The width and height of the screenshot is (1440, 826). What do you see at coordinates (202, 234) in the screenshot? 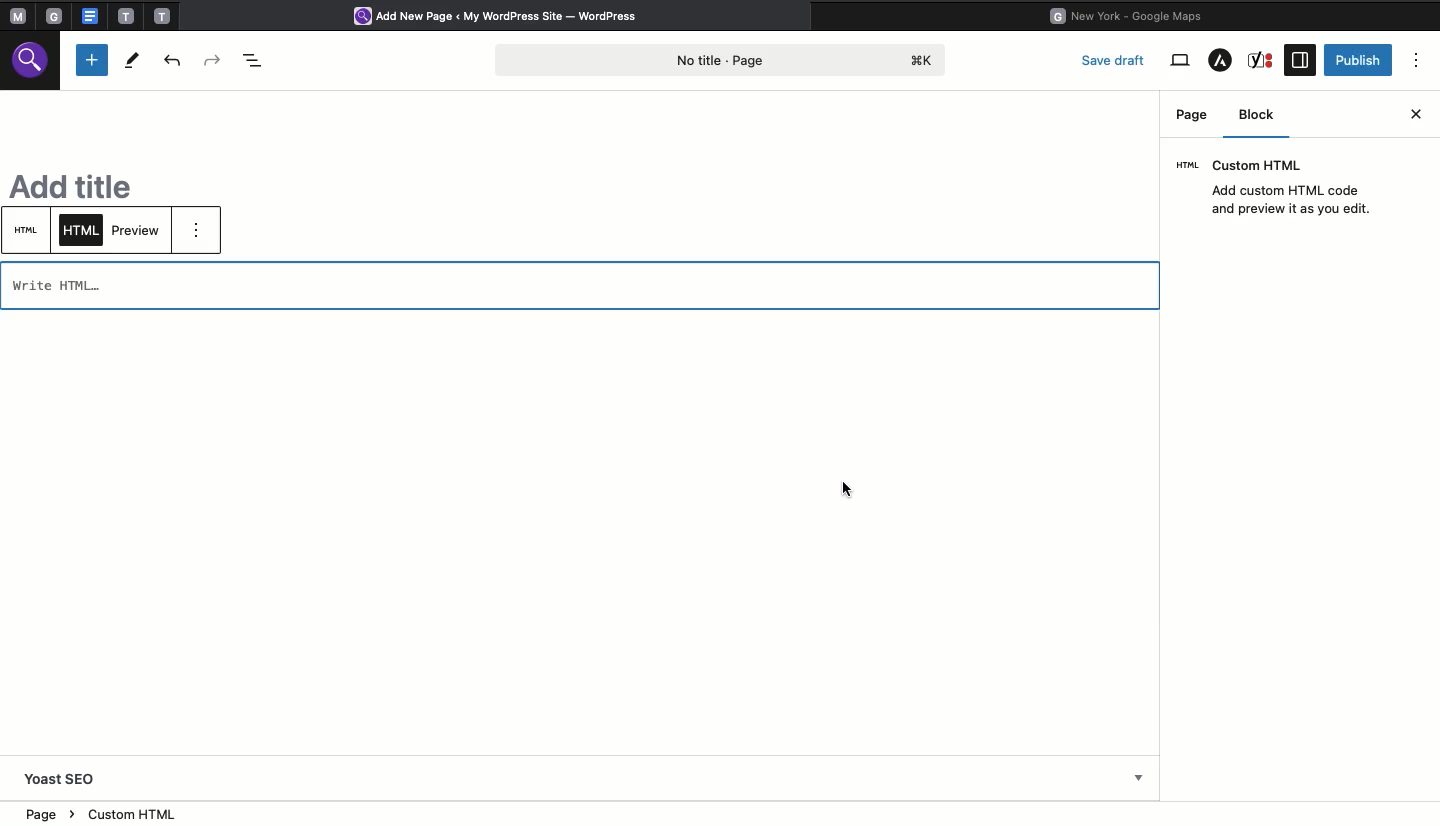
I see `more` at bounding box center [202, 234].